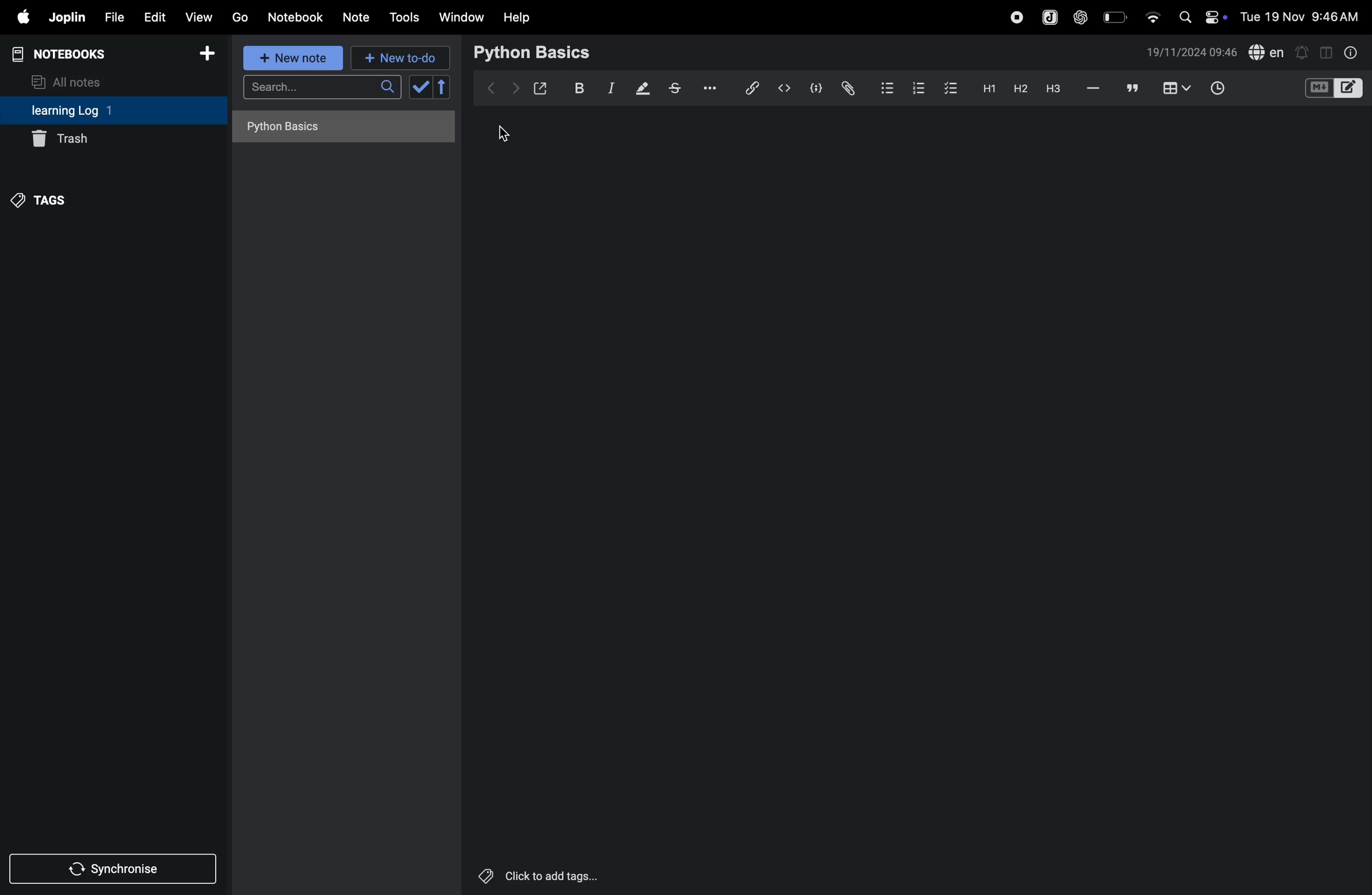 The width and height of the screenshot is (1372, 895). Describe the element at coordinates (1152, 13) in the screenshot. I see `wifi` at that location.